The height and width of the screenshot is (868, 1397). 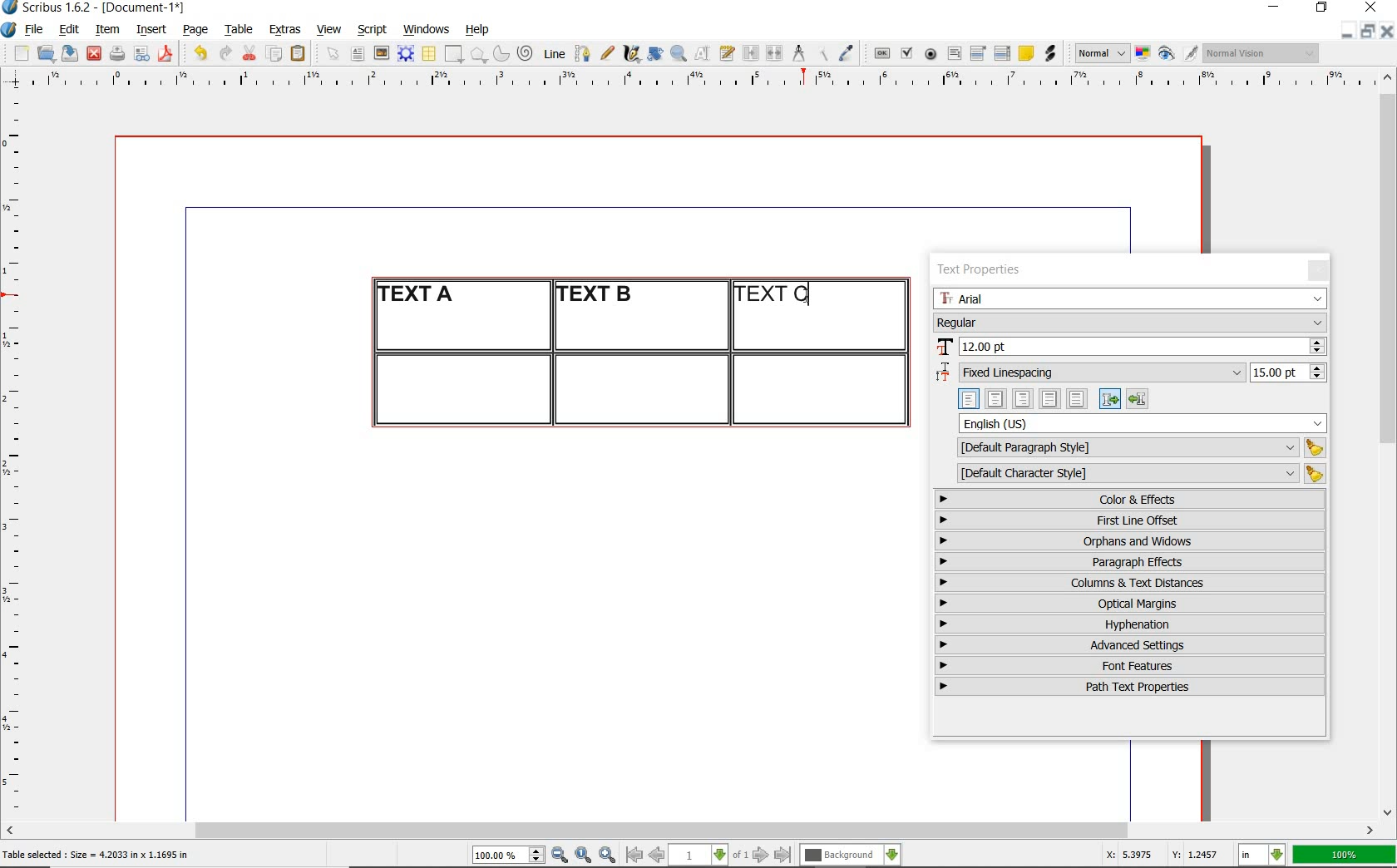 I want to click on close, so click(x=94, y=54).